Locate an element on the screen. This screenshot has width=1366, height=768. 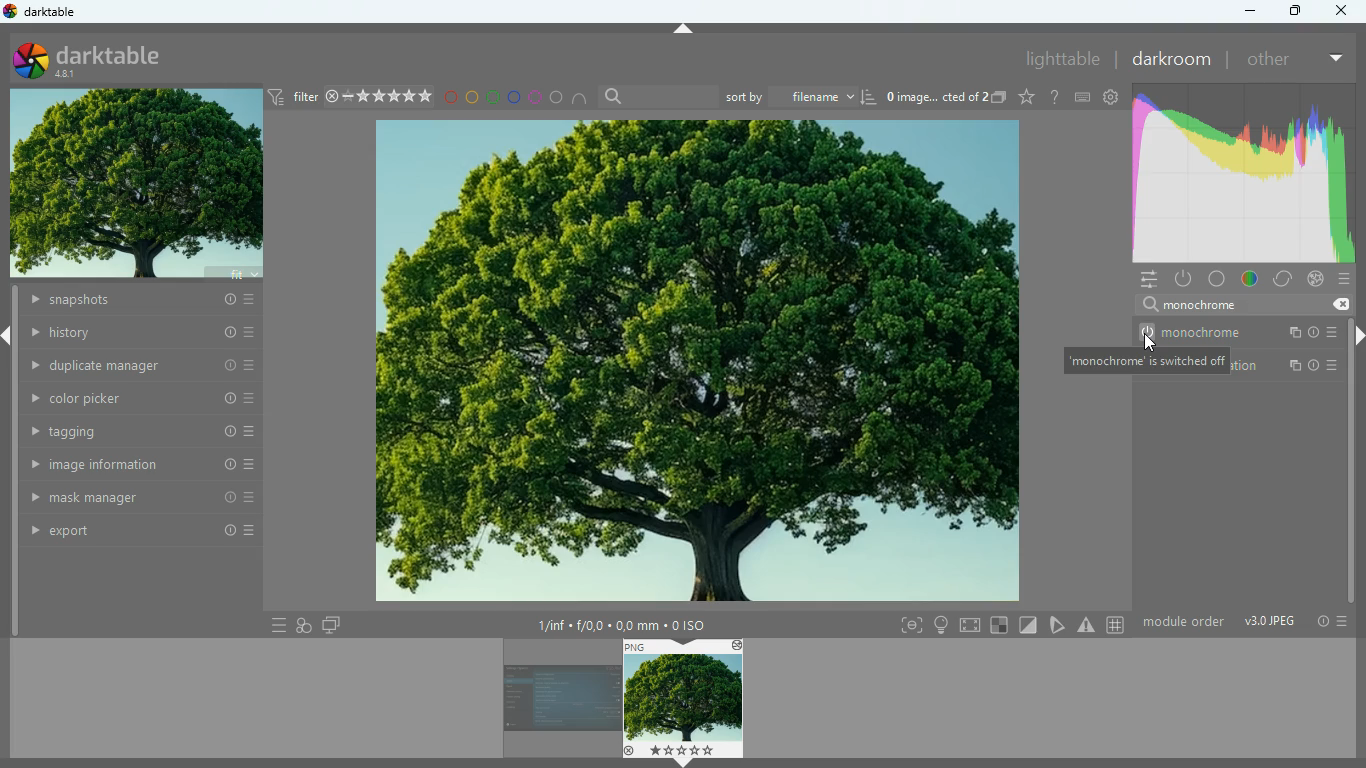
image type is located at coordinates (1270, 623).